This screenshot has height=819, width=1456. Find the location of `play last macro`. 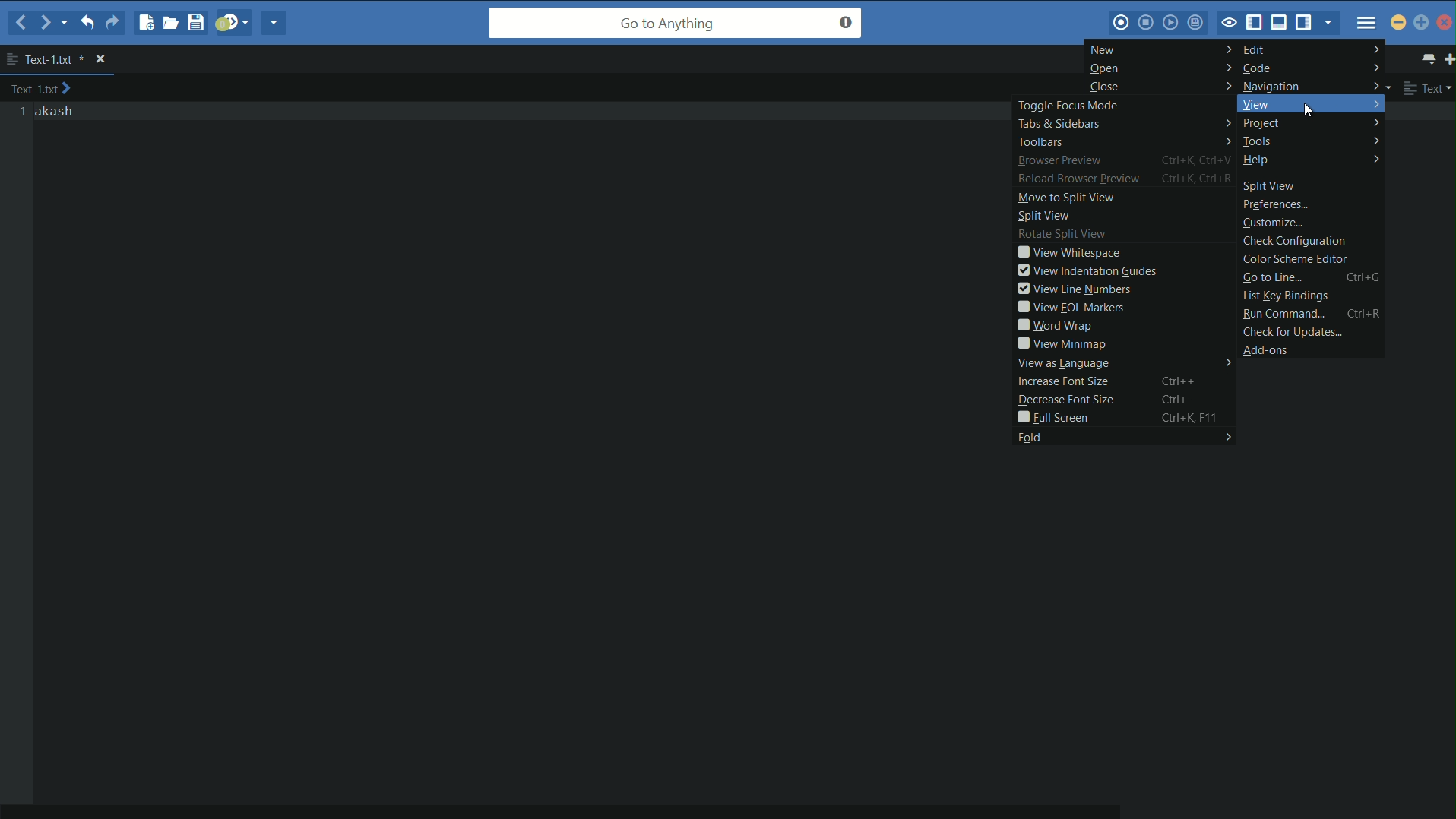

play last macro is located at coordinates (1173, 22).